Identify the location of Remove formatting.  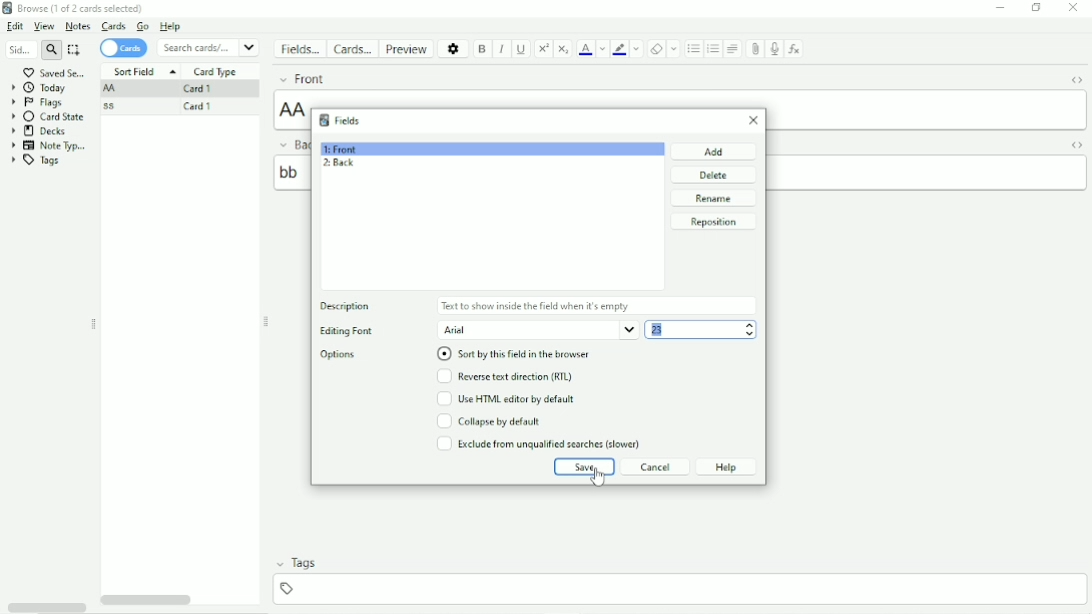
(655, 48).